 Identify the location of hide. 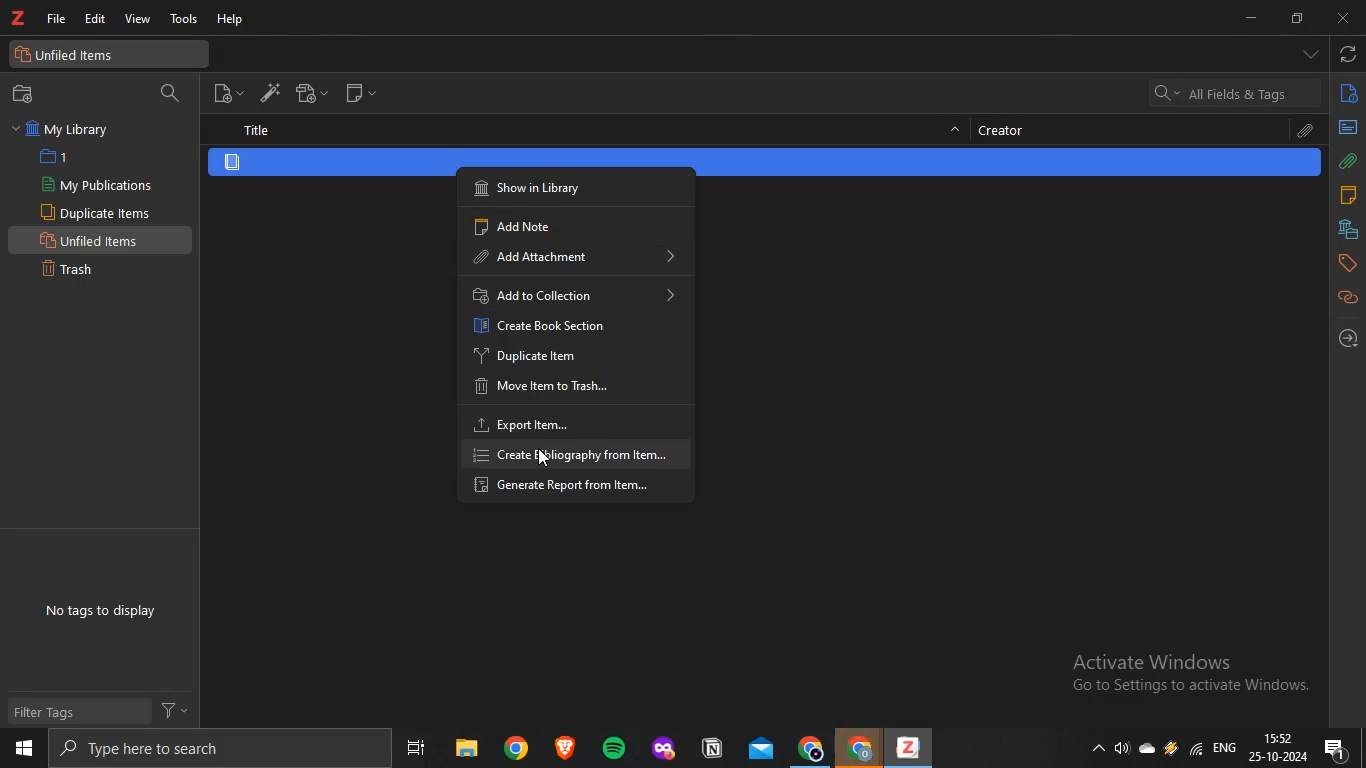
(956, 133).